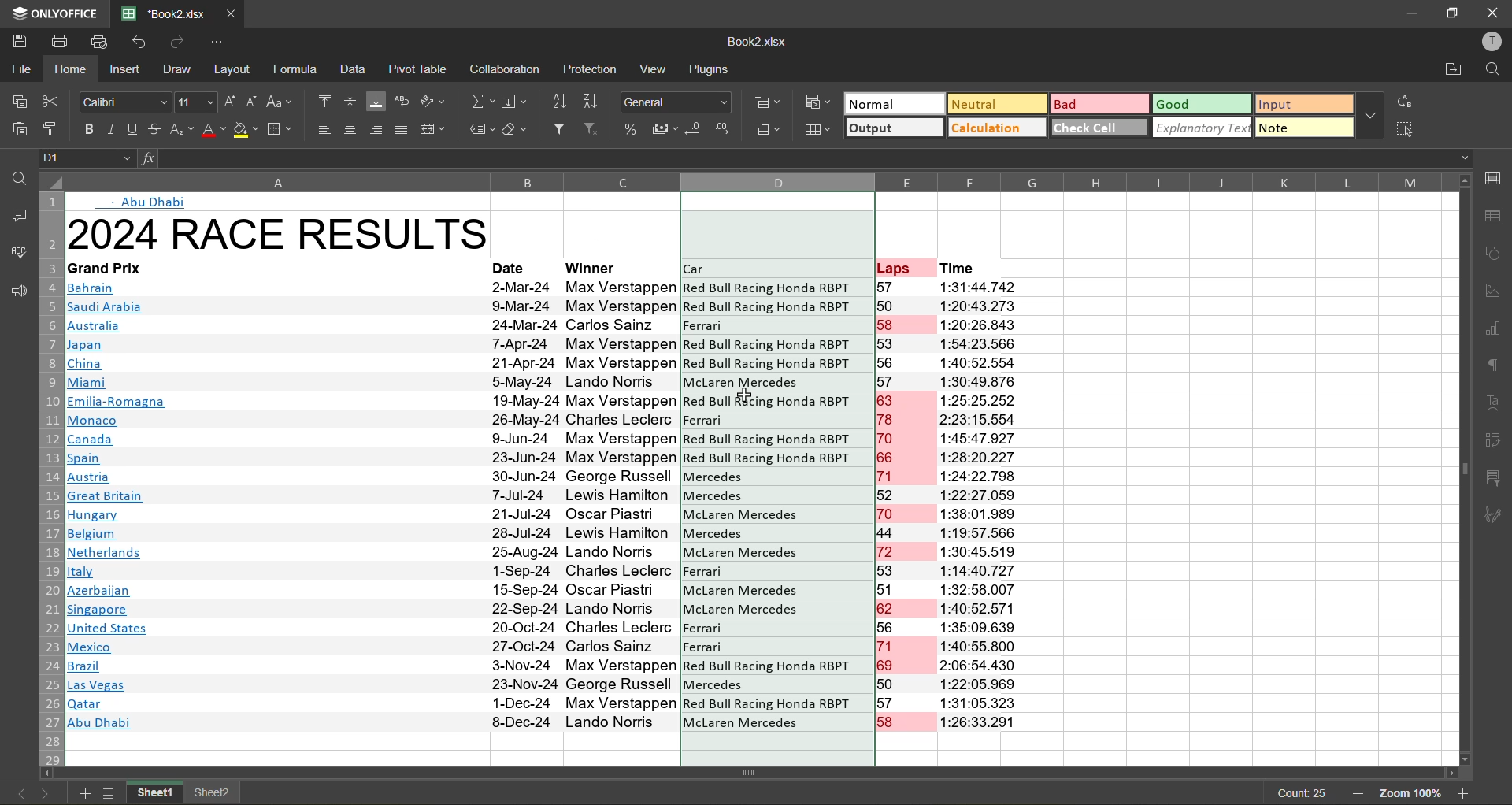  What do you see at coordinates (633, 133) in the screenshot?
I see `percent` at bounding box center [633, 133].